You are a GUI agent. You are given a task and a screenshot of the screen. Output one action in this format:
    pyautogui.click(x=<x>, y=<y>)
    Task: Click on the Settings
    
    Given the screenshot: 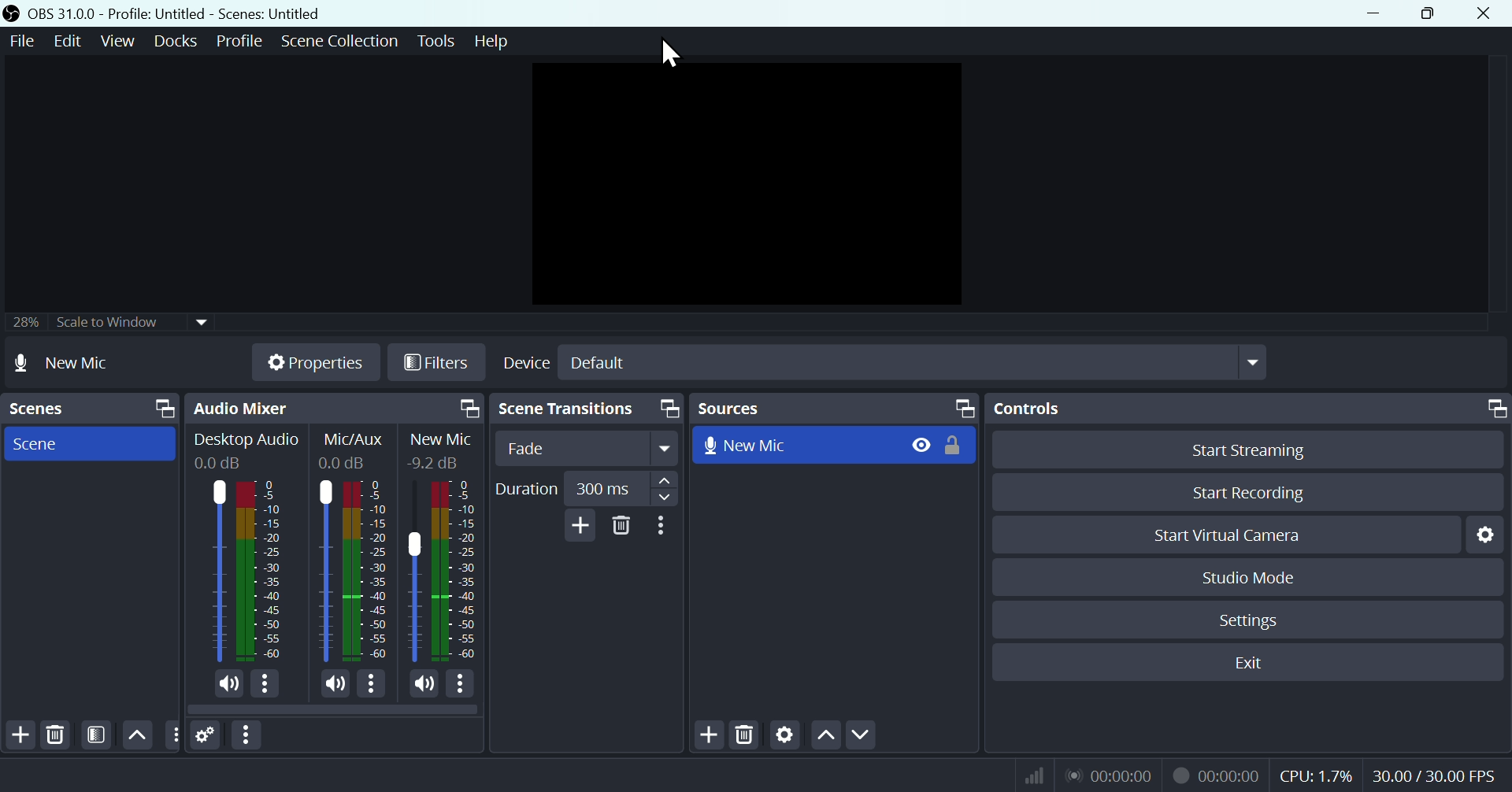 What is the action you would take?
    pyautogui.click(x=1252, y=620)
    